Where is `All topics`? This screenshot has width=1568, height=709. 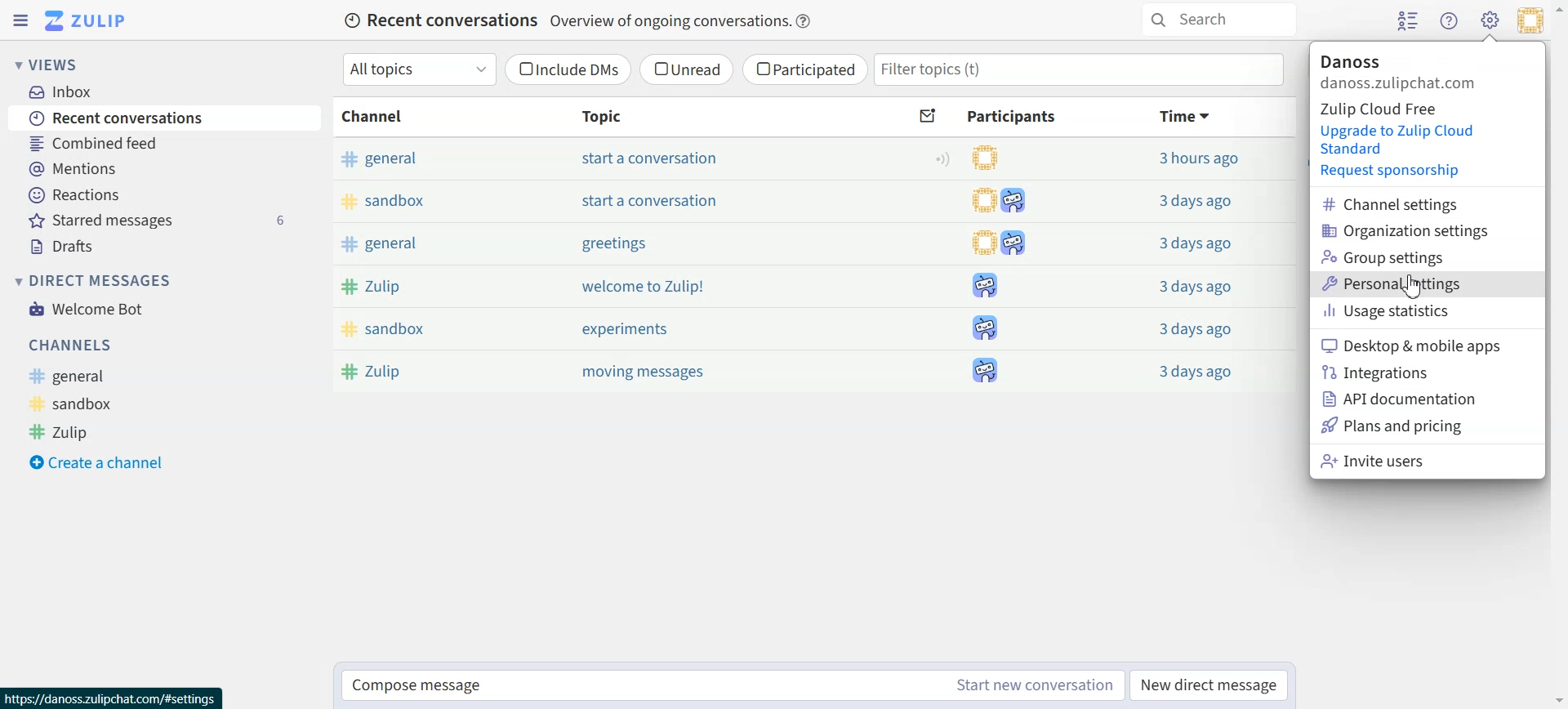
All topics is located at coordinates (421, 70).